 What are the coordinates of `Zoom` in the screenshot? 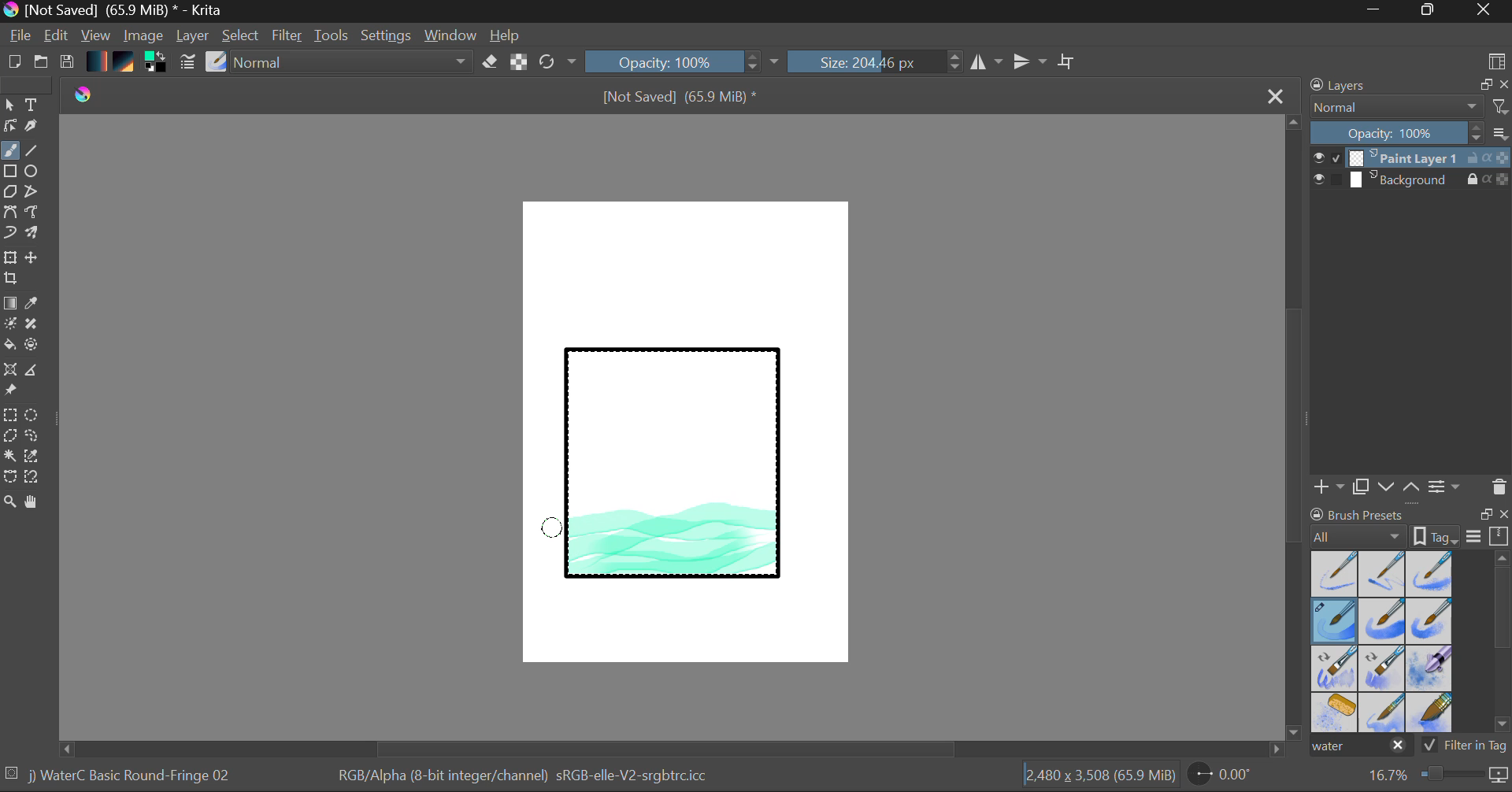 It's located at (10, 503).